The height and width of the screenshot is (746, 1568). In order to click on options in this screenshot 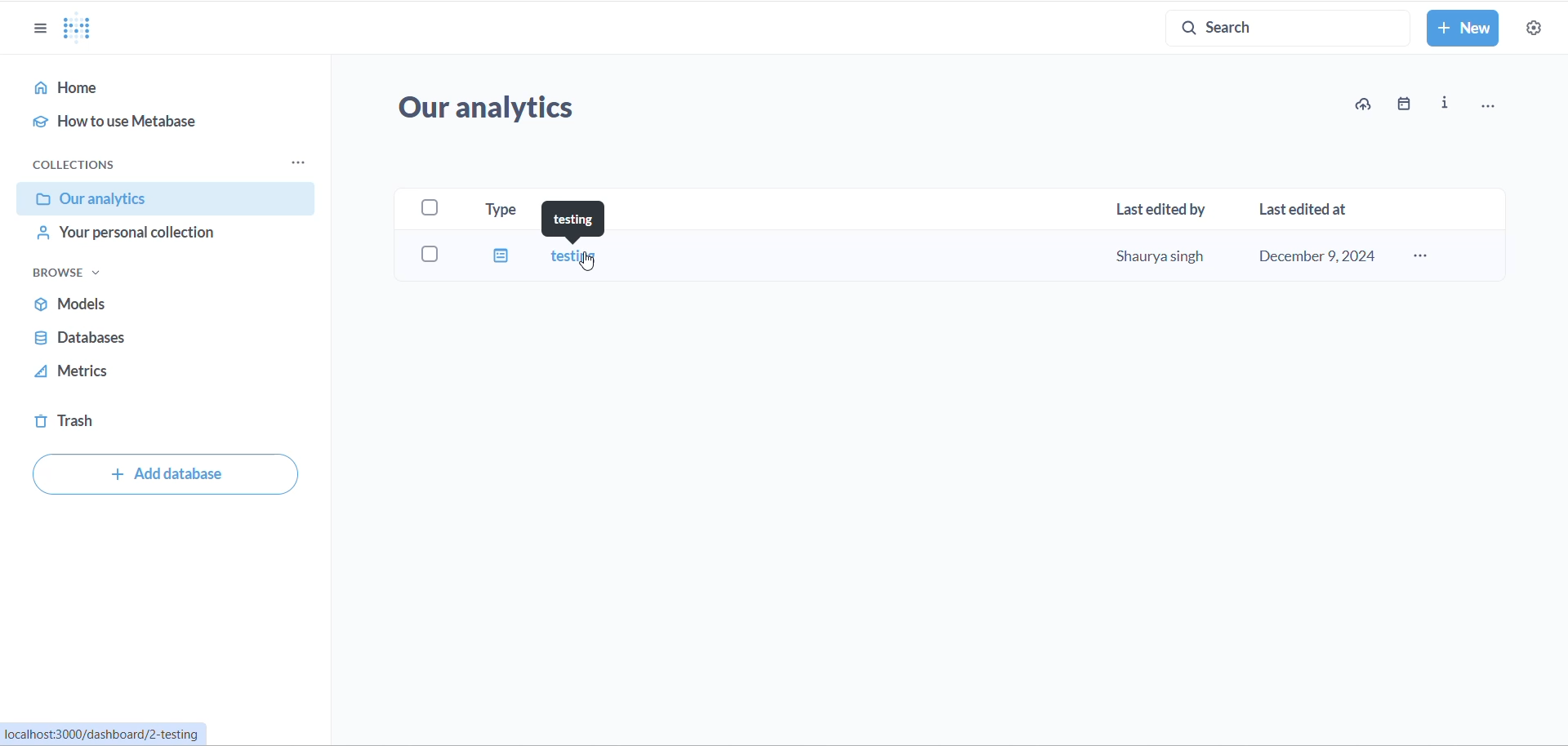, I will do `click(1489, 103)`.